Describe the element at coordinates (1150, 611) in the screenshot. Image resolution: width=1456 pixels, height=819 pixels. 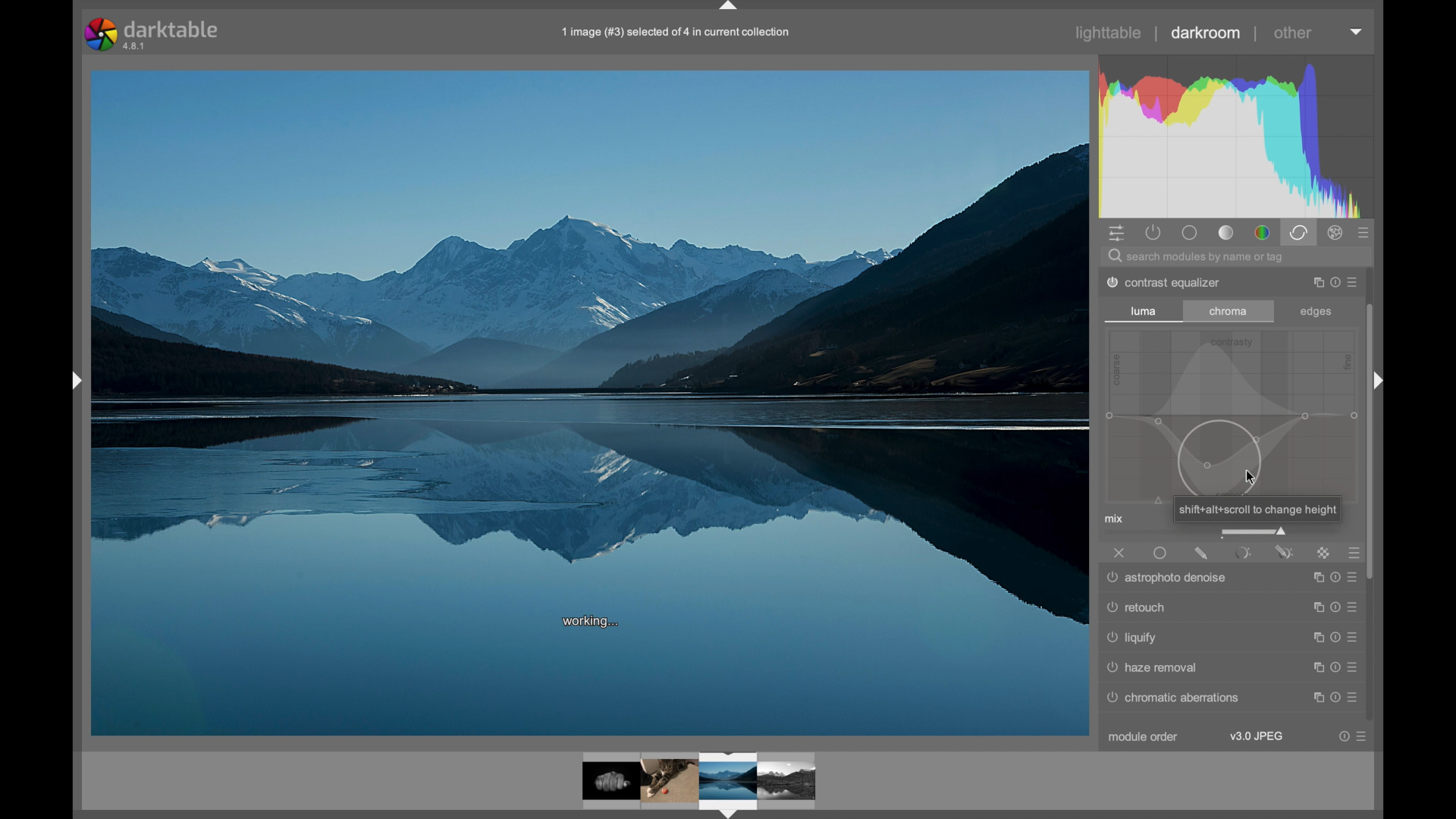
I see `surface blur` at that location.